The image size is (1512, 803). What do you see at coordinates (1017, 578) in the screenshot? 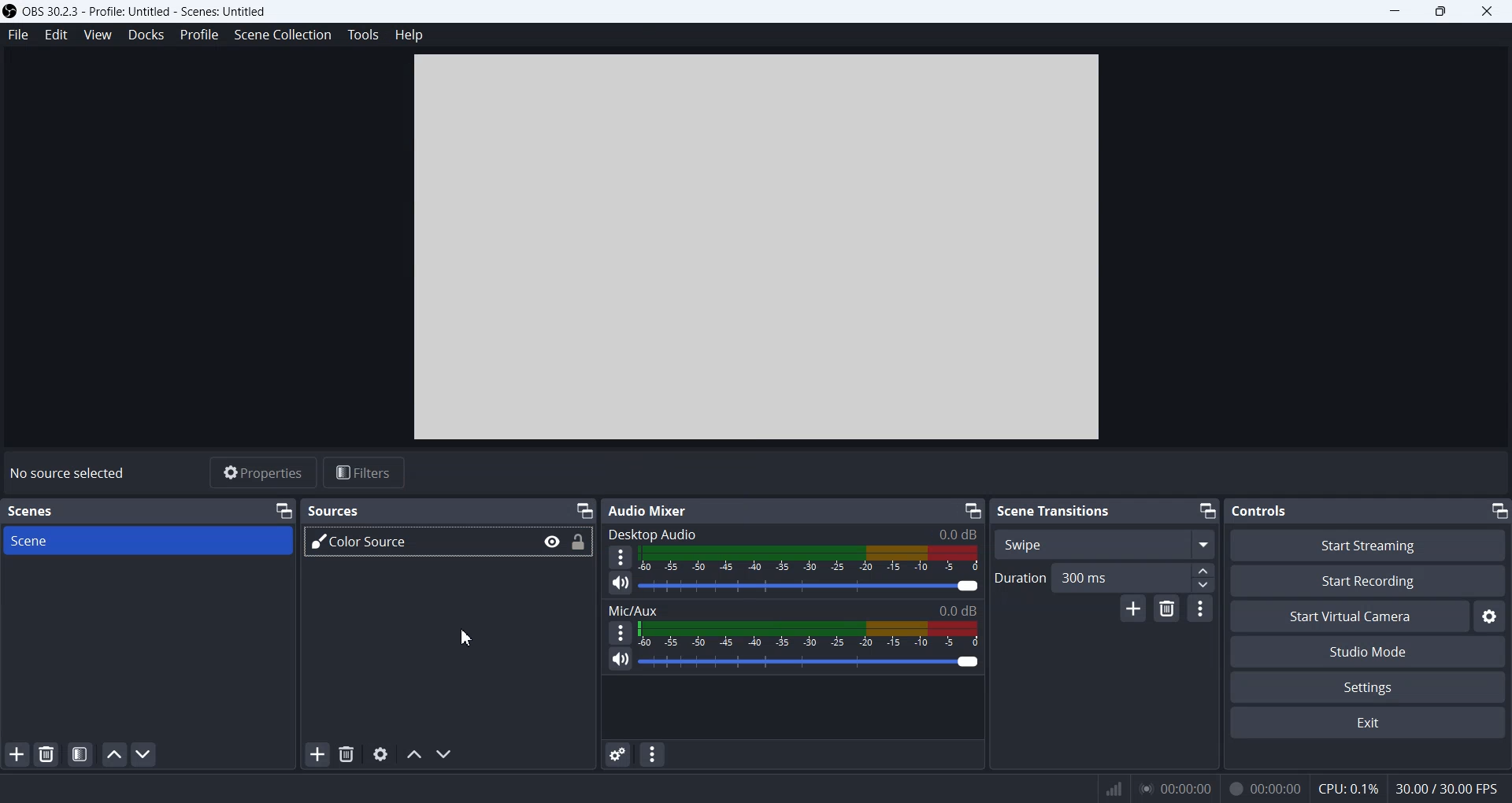
I see `Duration` at bounding box center [1017, 578].